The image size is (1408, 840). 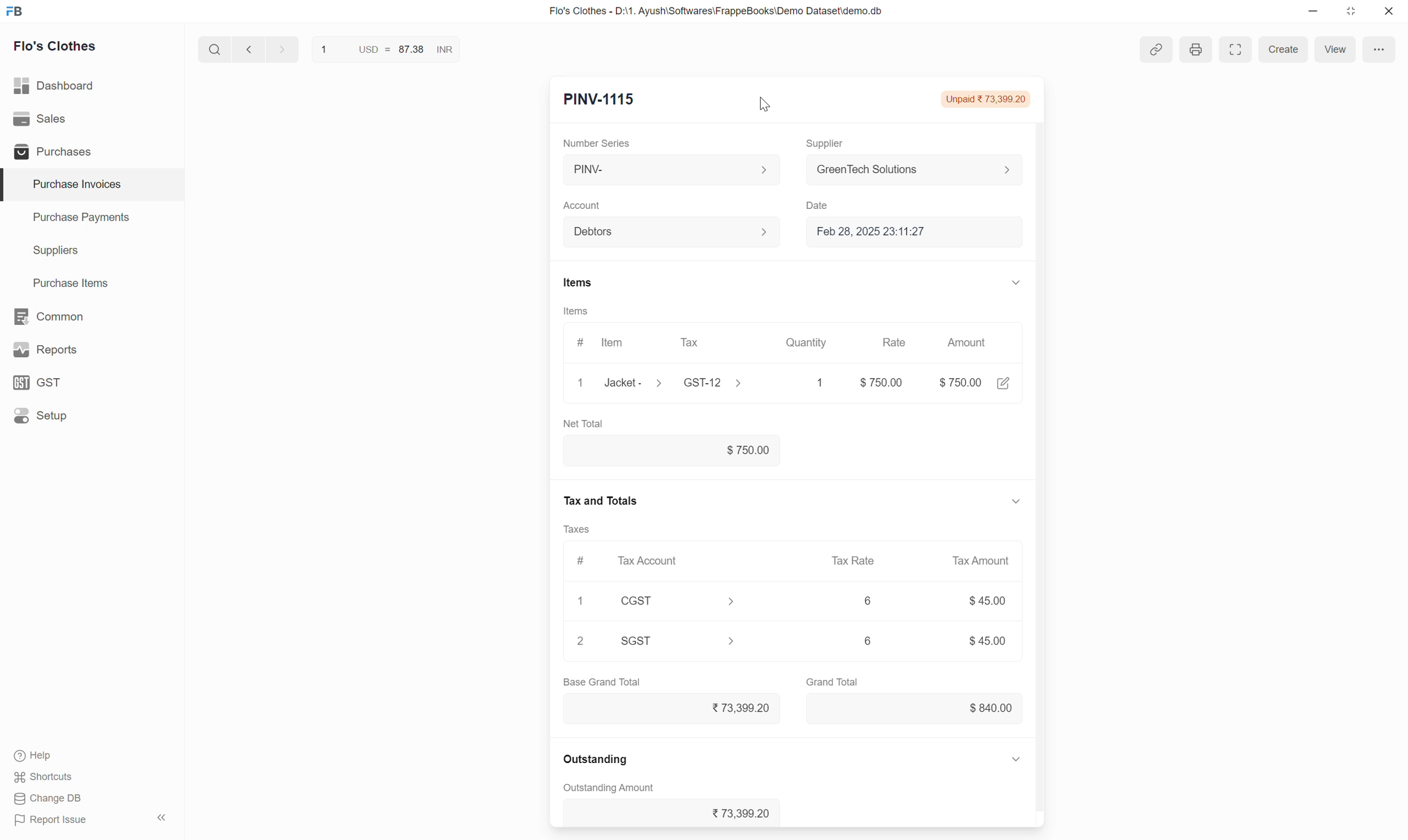 What do you see at coordinates (577, 529) in the screenshot?
I see `Taxes` at bounding box center [577, 529].